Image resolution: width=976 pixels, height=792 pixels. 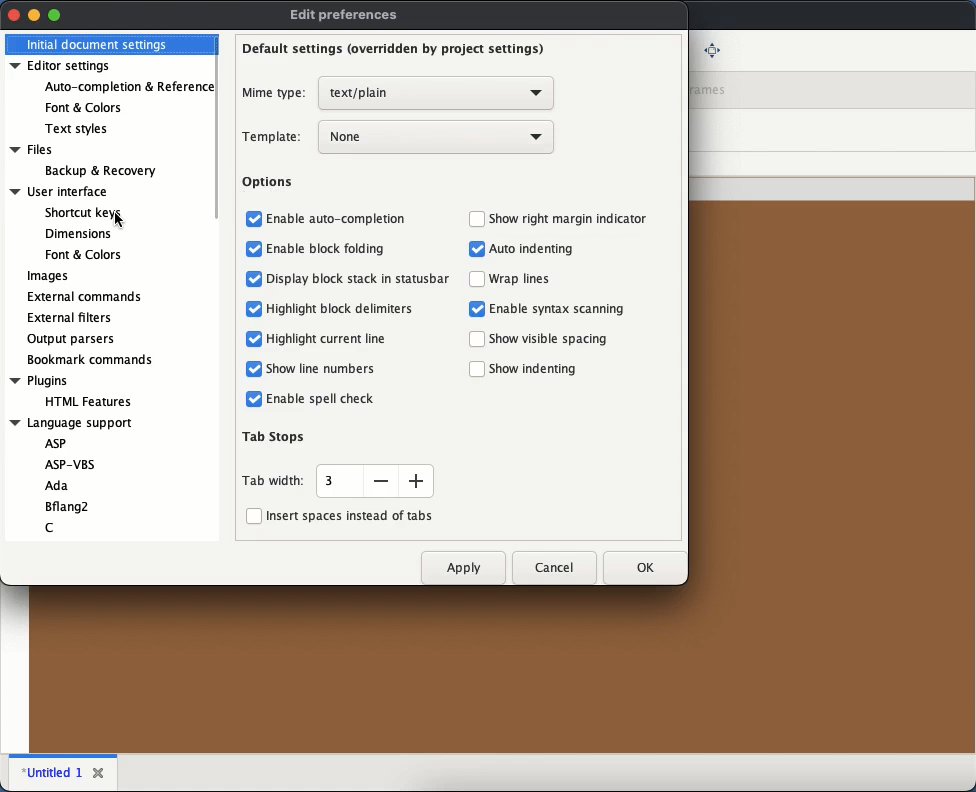 I want to click on initial document settings, so click(x=99, y=45).